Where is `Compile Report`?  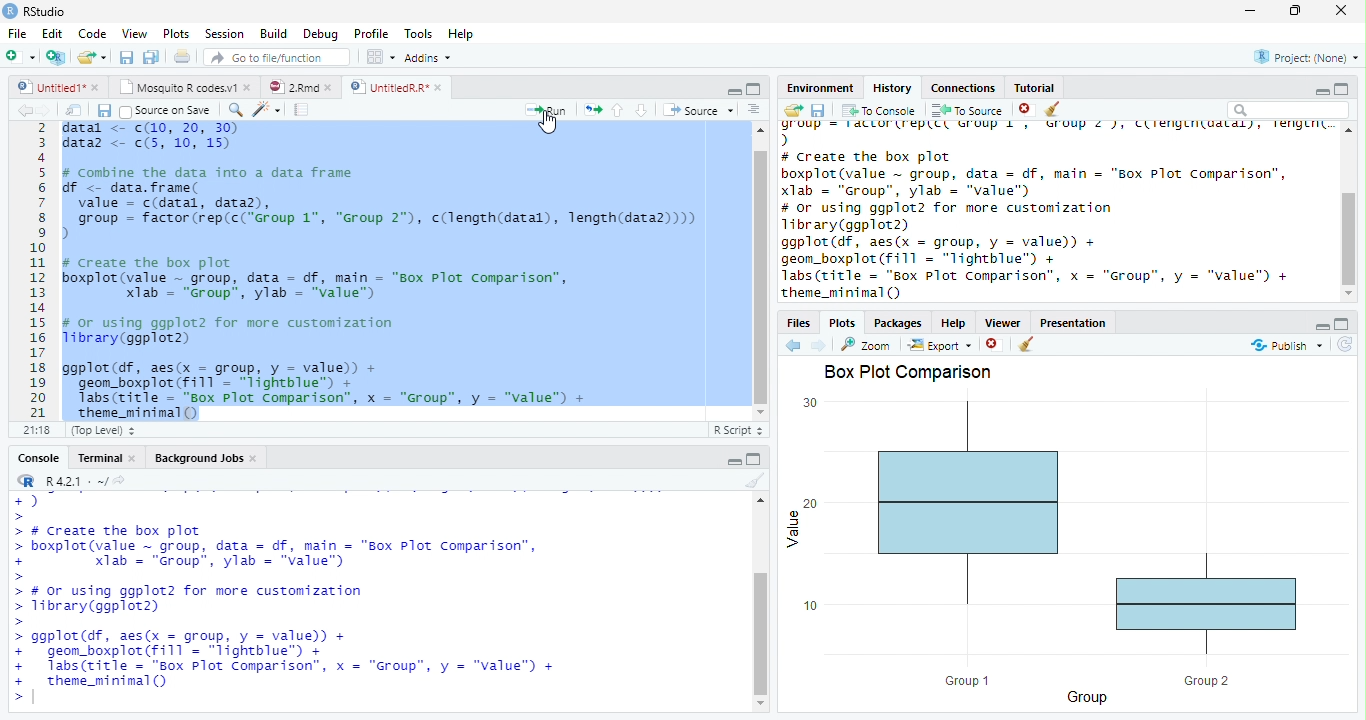
Compile Report is located at coordinates (302, 109).